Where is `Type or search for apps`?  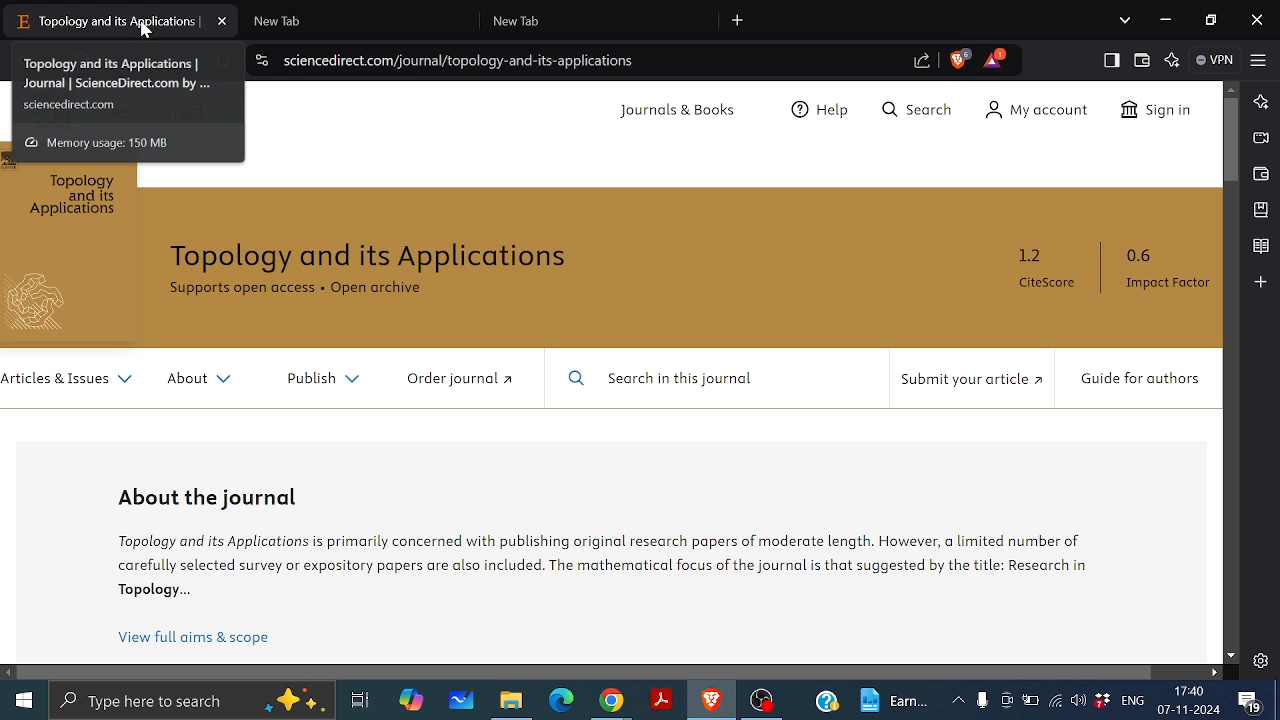
Type or search for apps is located at coordinates (190, 701).